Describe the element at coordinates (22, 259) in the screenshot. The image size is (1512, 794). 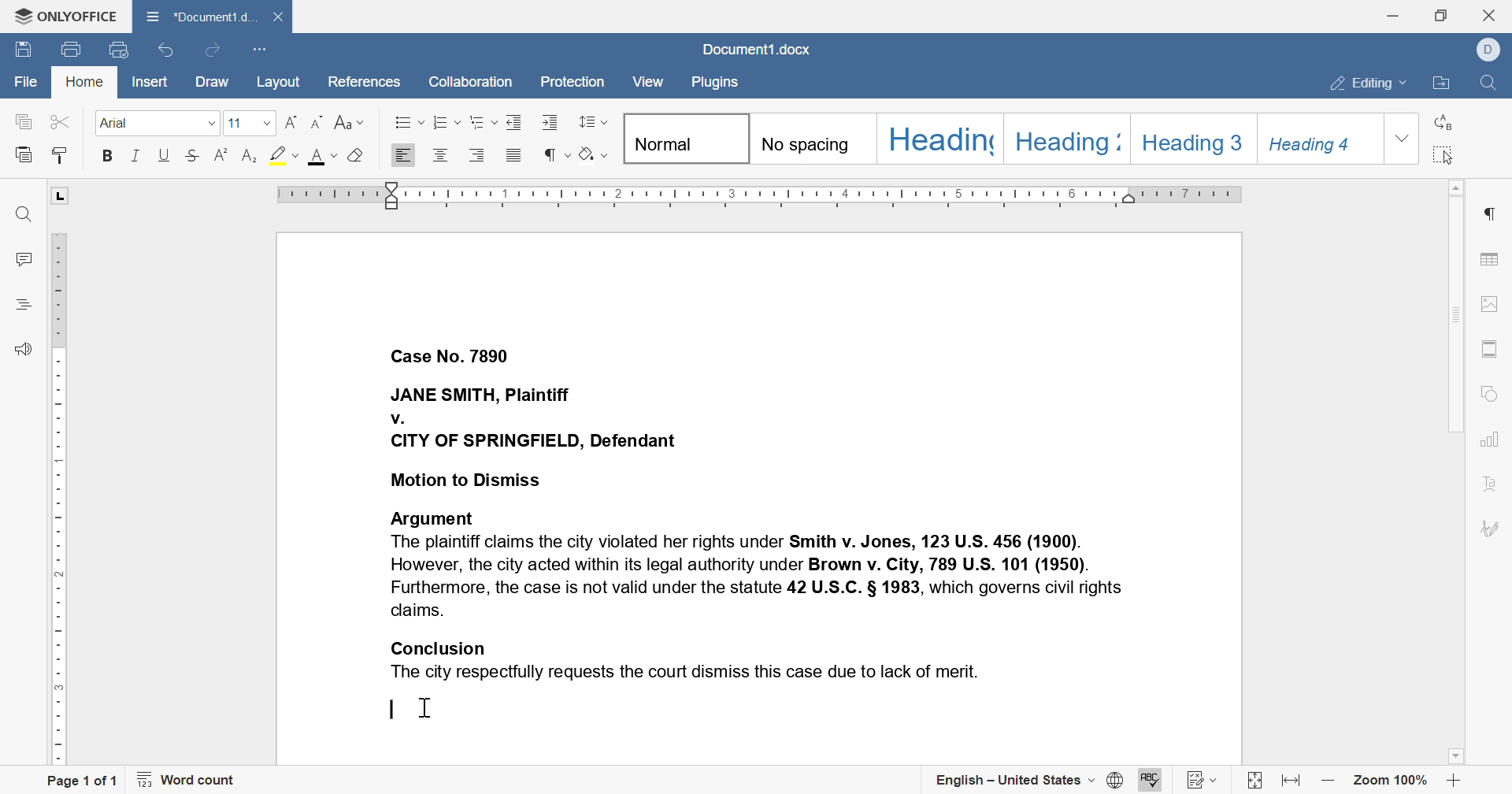
I see `comments` at that location.